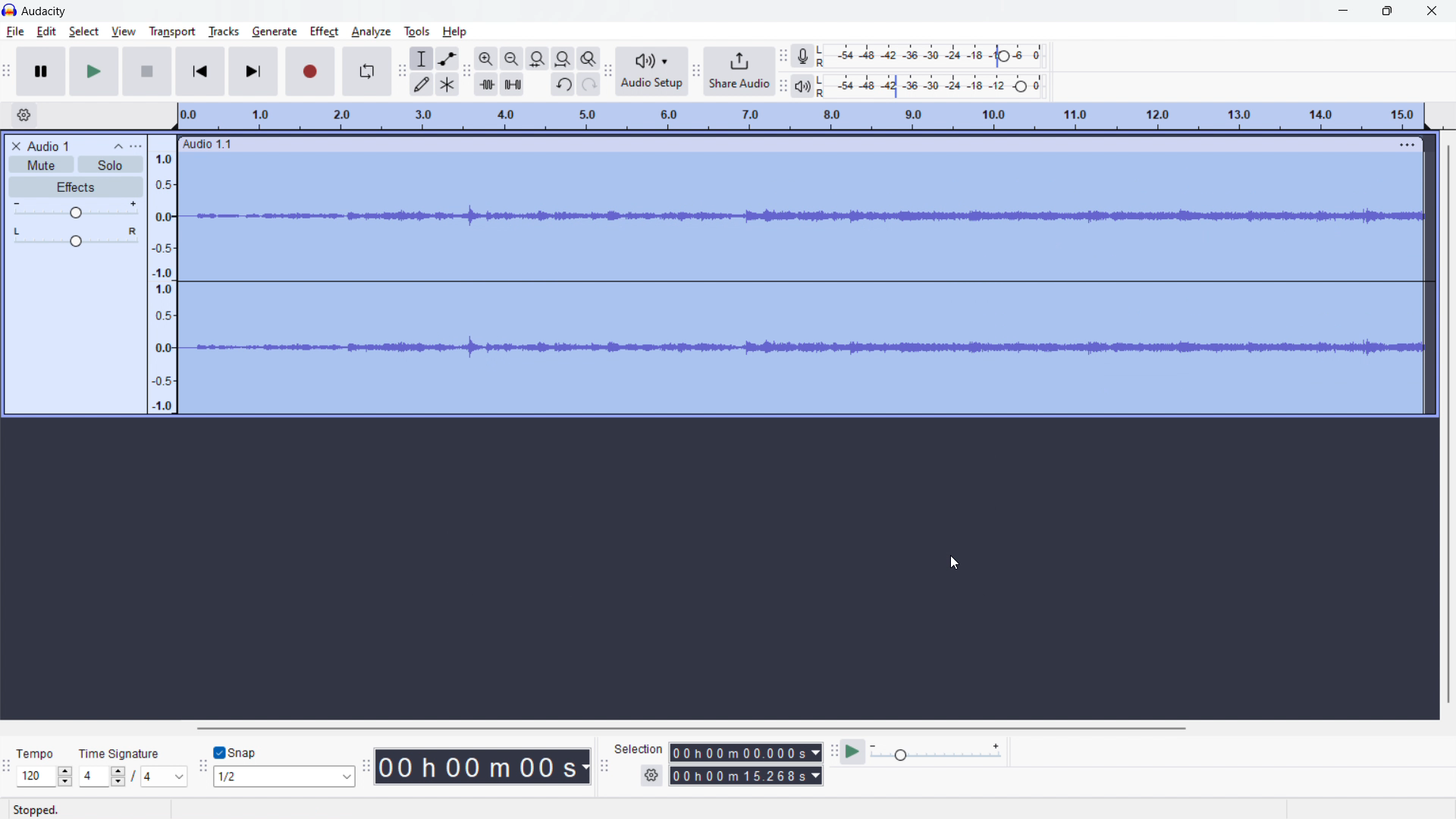 The image size is (1456, 819). What do you see at coordinates (121, 750) in the screenshot?
I see `Time Signature` at bounding box center [121, 750].